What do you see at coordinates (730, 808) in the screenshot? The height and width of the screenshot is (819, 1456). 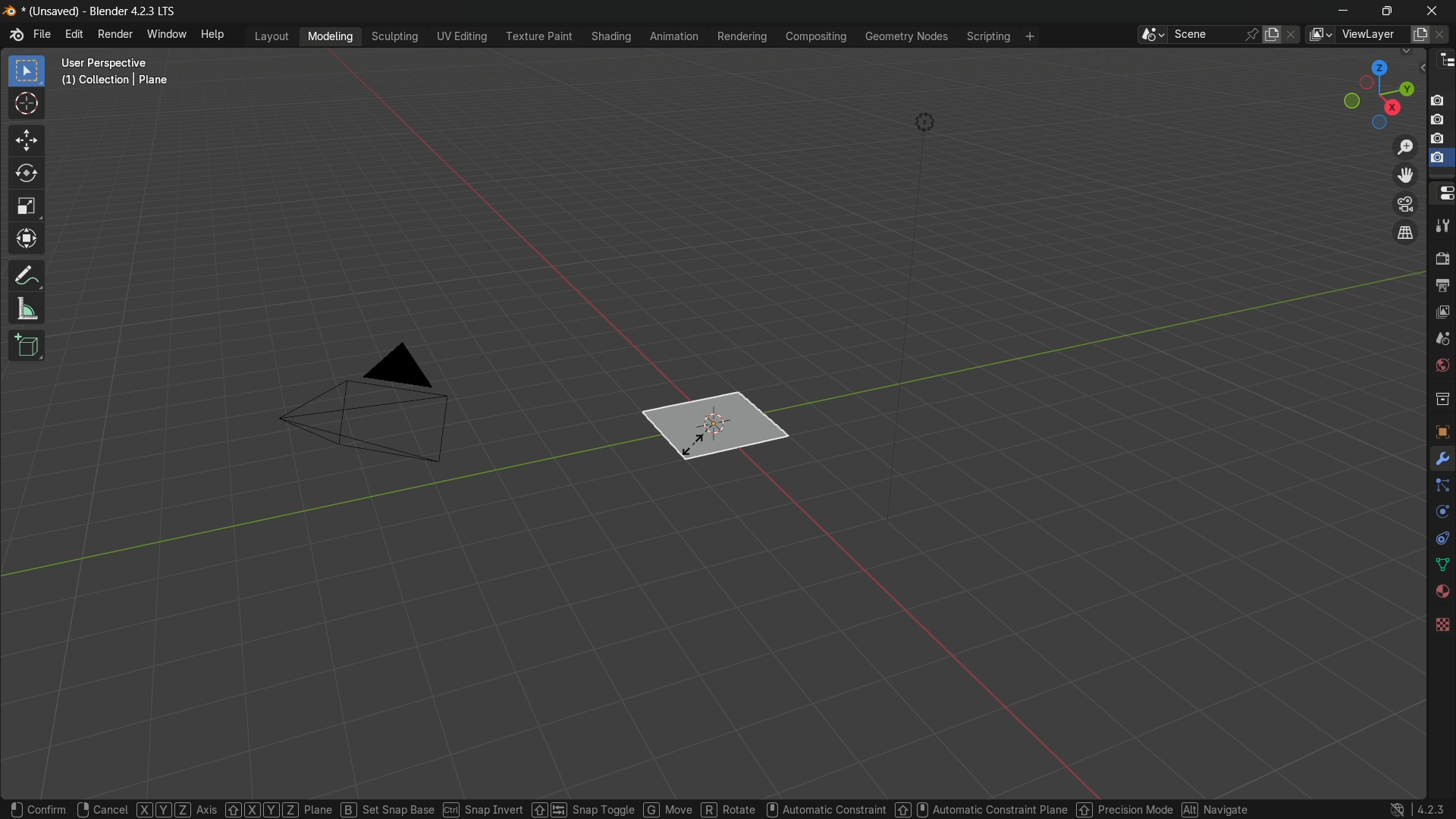 I see `R rotate` at bounding box center [730, 808].